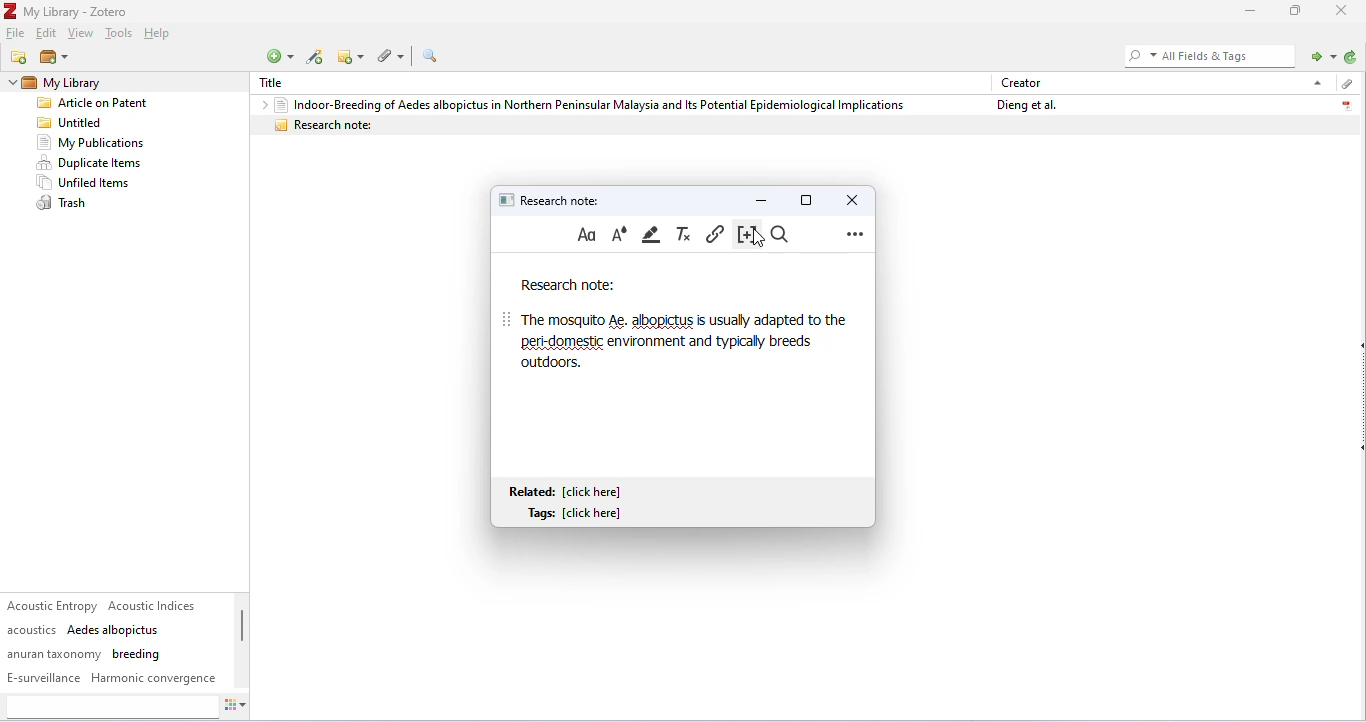  What do you see at coordinates (10, 83) in the screenshot?
I see `drop down` at bounding box center [10, 83].